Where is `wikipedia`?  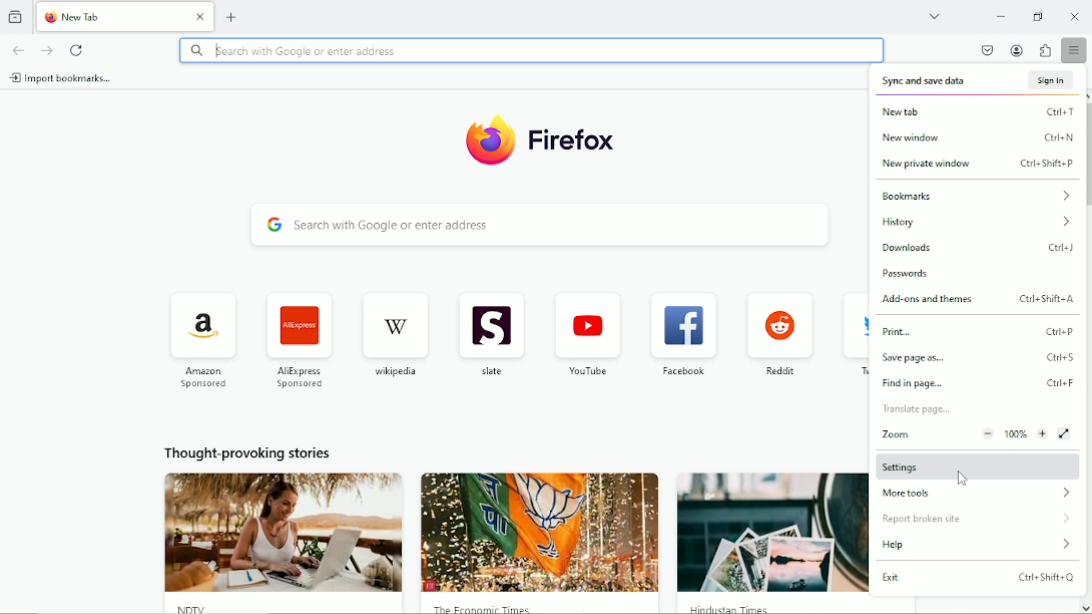
wikipedia is located at coordinates (393, 376).